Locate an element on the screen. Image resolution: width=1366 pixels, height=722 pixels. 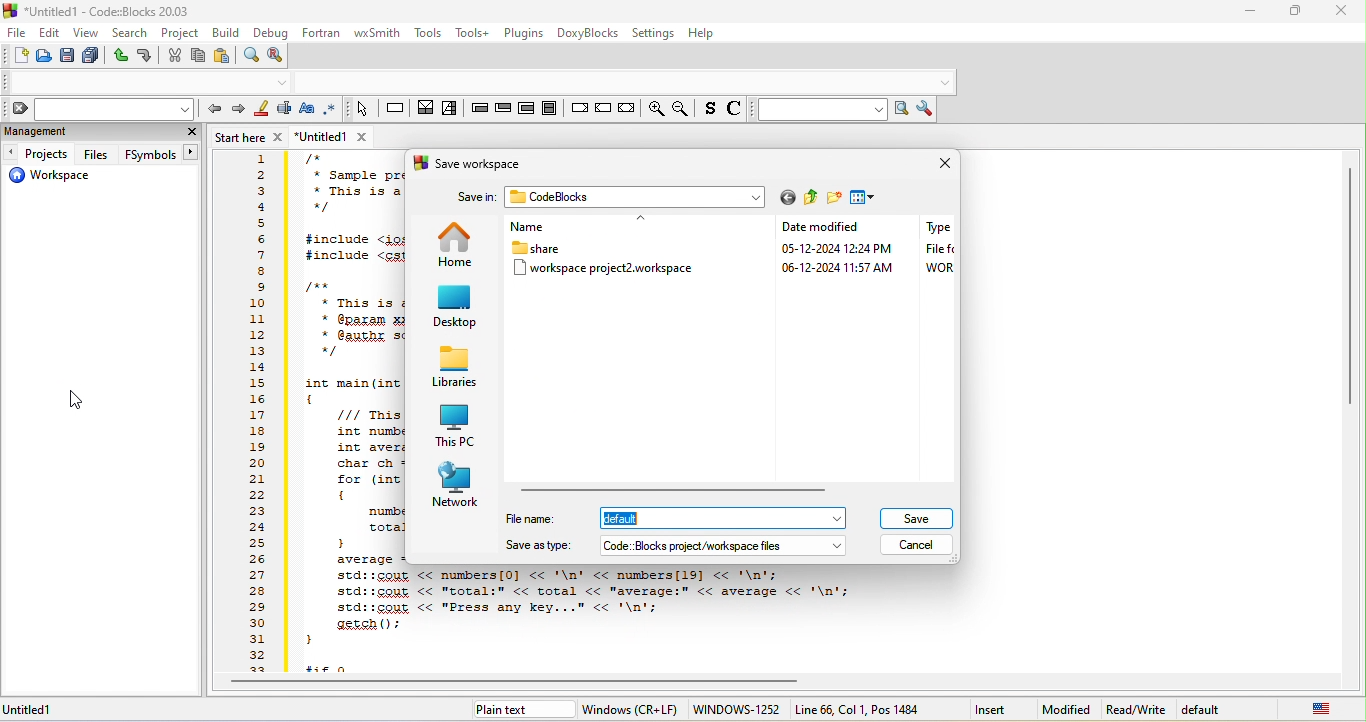
project is located at coordinates (182, 34).